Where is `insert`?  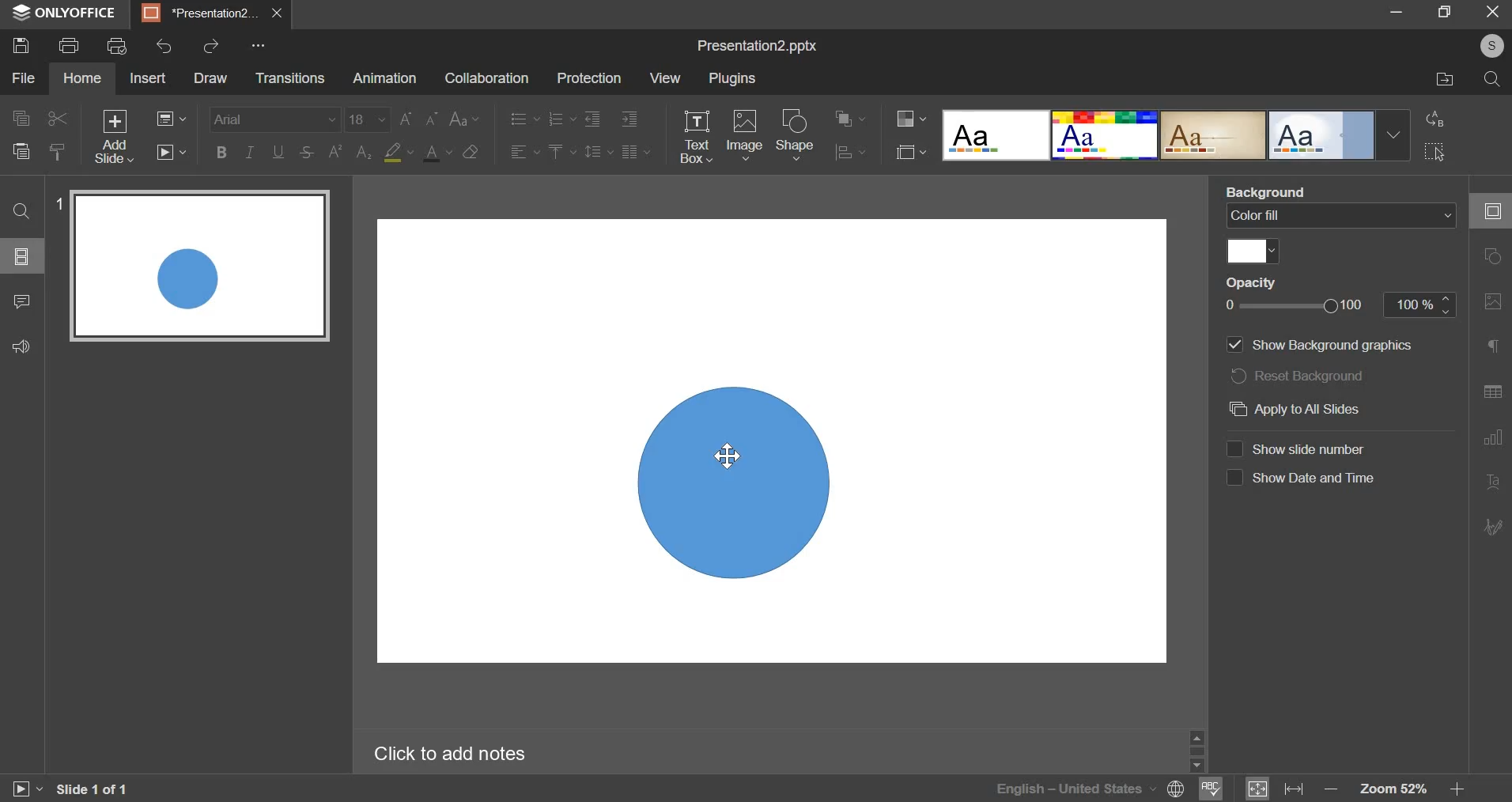
insert is located at coordinates (148, 78).